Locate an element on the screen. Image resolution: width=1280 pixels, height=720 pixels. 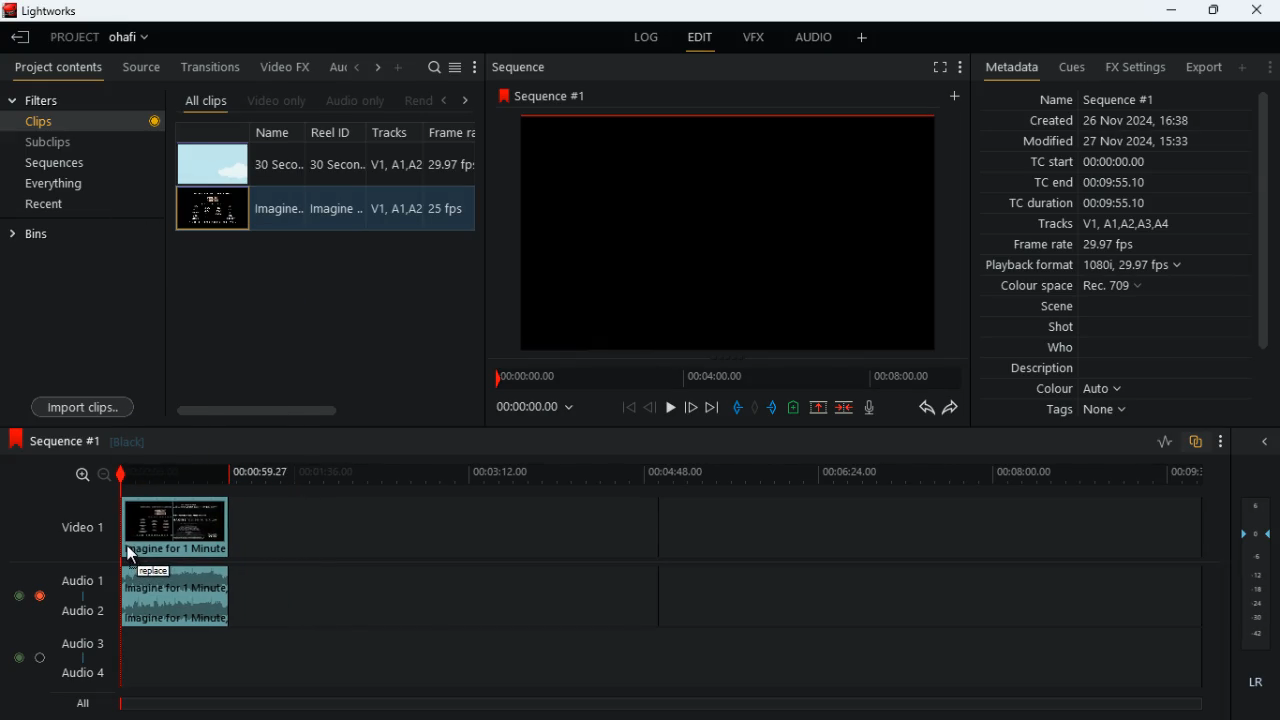
timeline is located at coordinates (667, 477).